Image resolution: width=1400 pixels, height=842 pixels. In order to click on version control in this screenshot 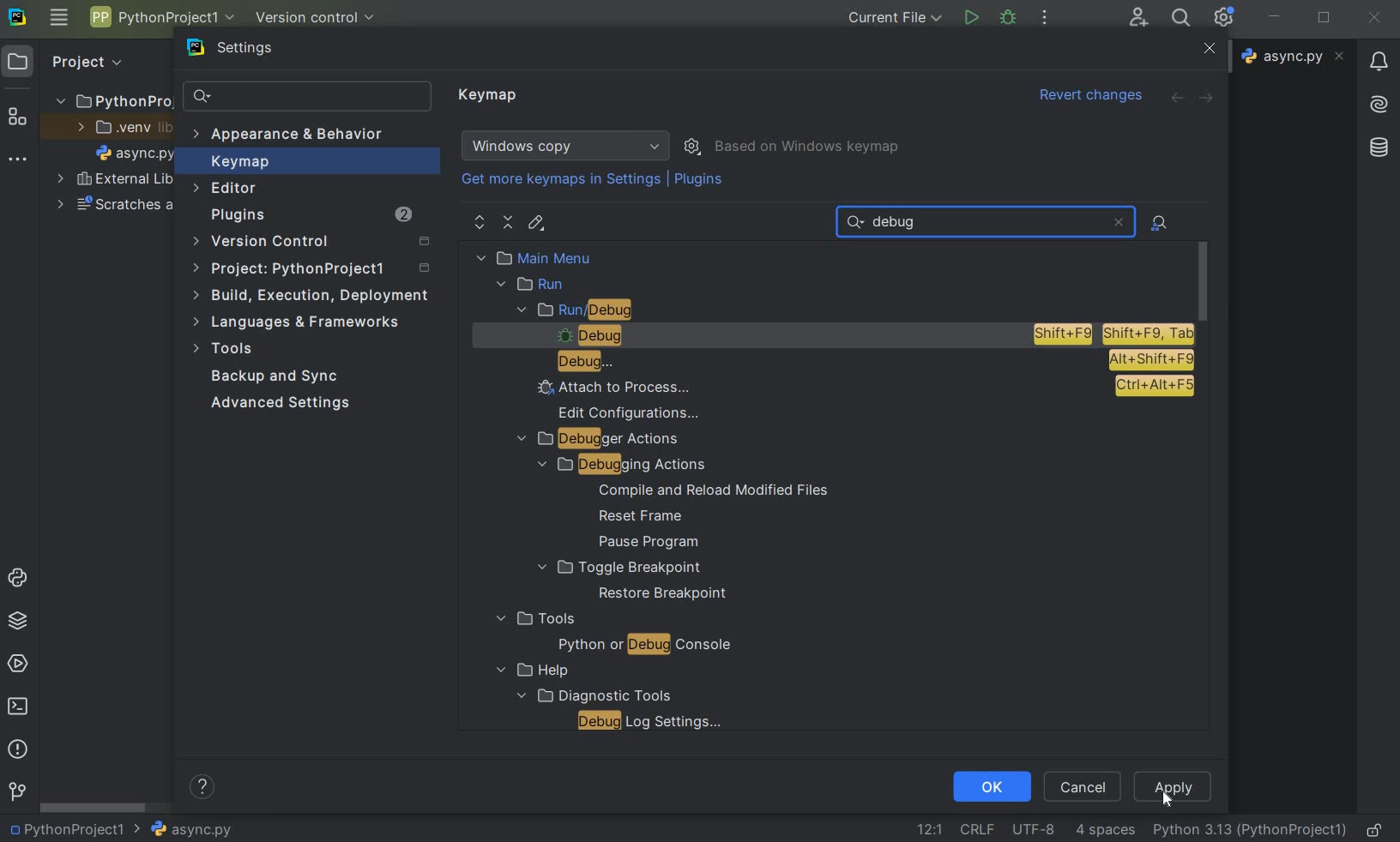, I will do `click(17, 792)`.